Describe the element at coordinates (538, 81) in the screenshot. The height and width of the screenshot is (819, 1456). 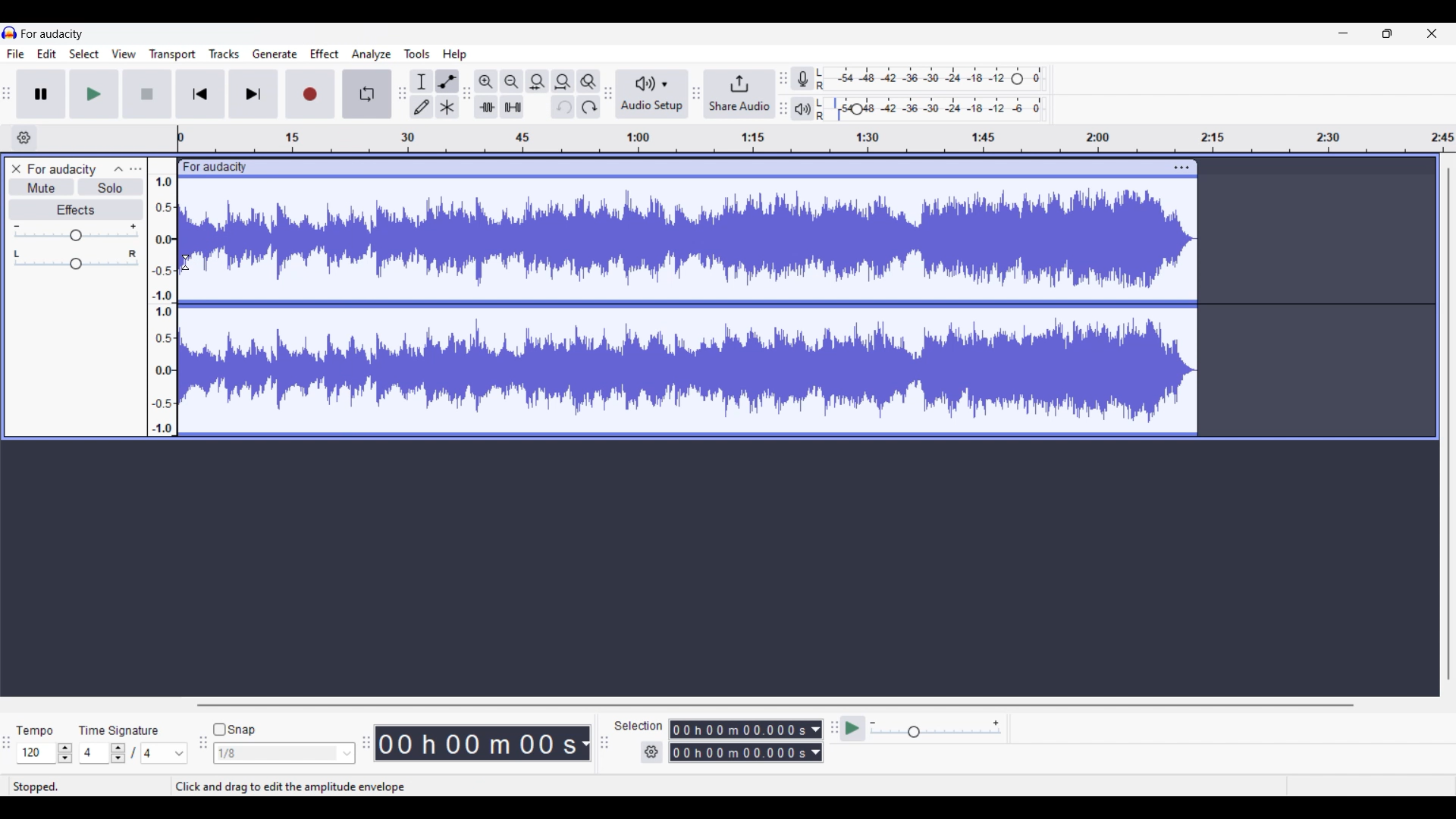
I see `Fit selection to width` at that location.